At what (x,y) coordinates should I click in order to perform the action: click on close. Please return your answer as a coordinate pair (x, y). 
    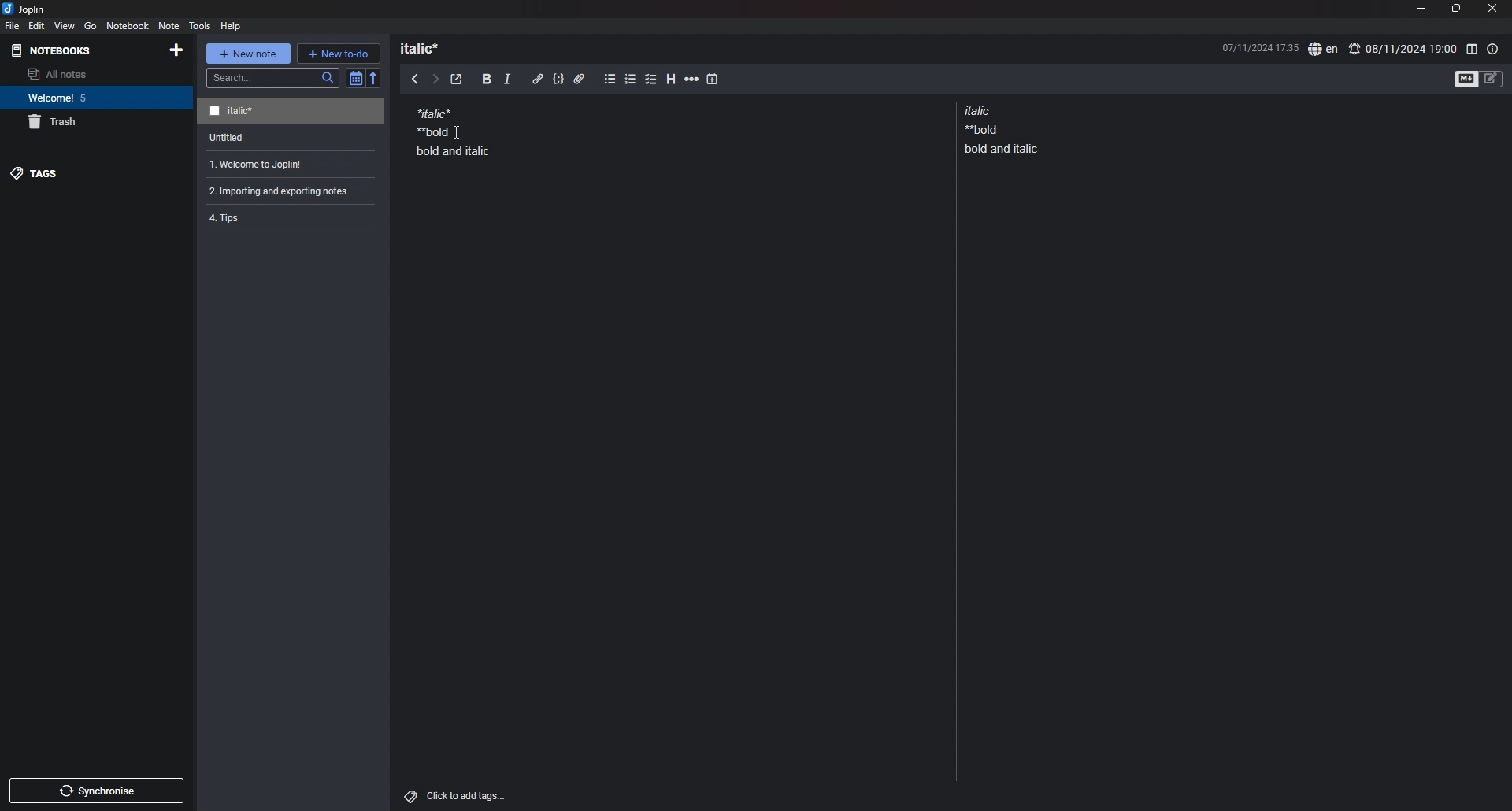
    Looking at the image, I should click on (1494, 8).